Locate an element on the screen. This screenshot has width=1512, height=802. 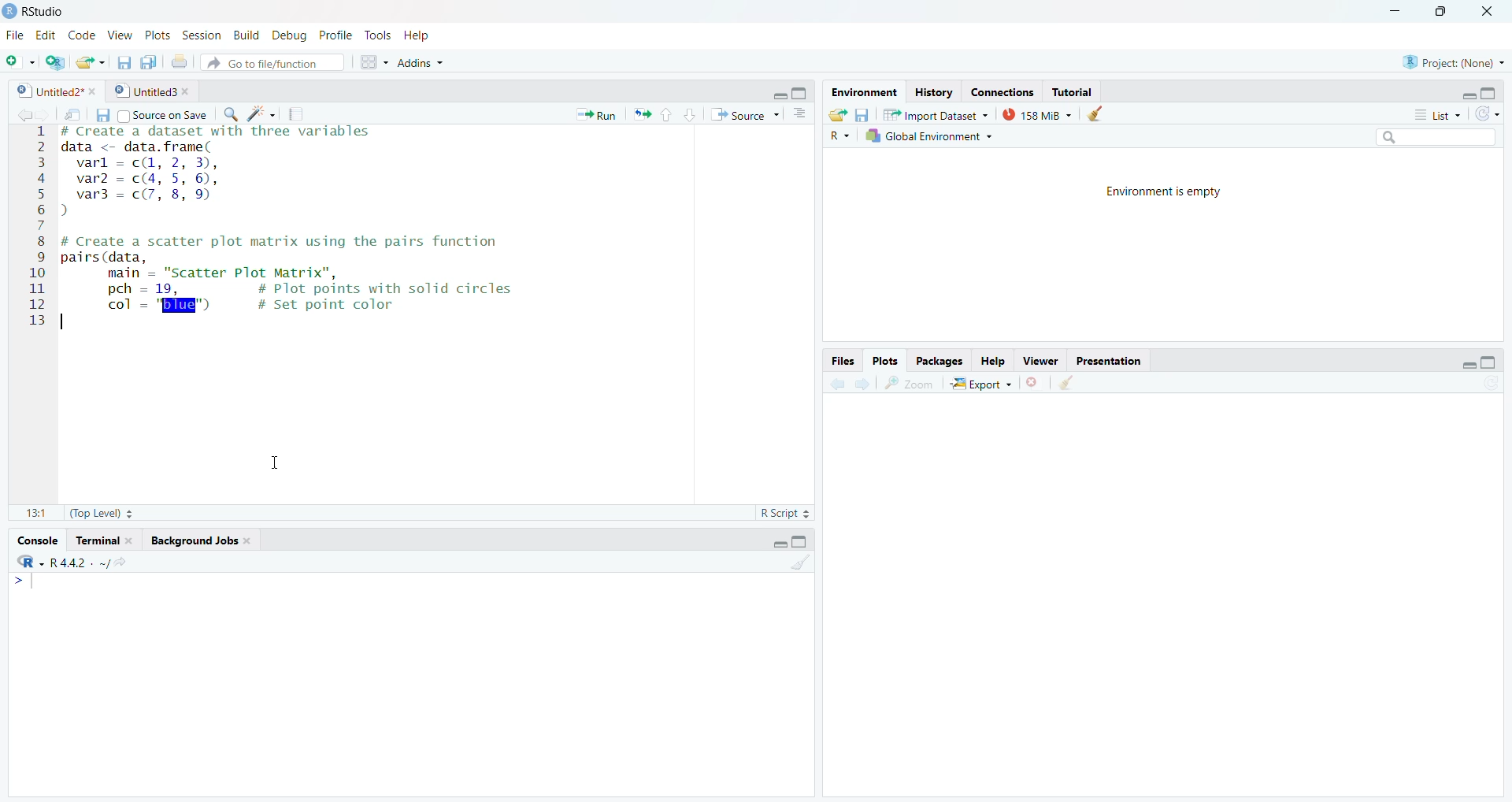
Import Dataset  is located at coordinates (941, 113).